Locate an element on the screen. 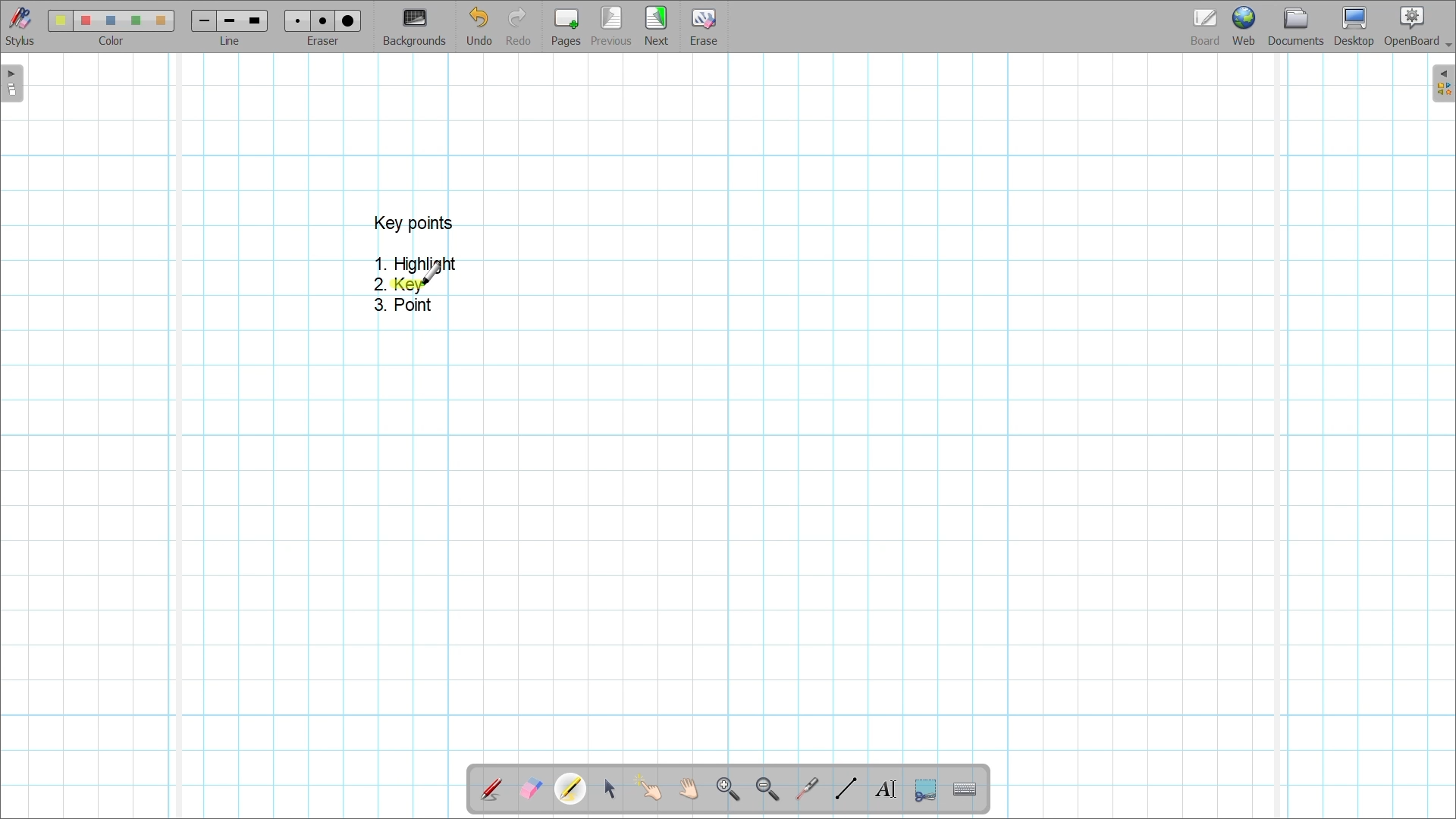 The image size is (1456, 819). key points is located at coordinates (414, 222).